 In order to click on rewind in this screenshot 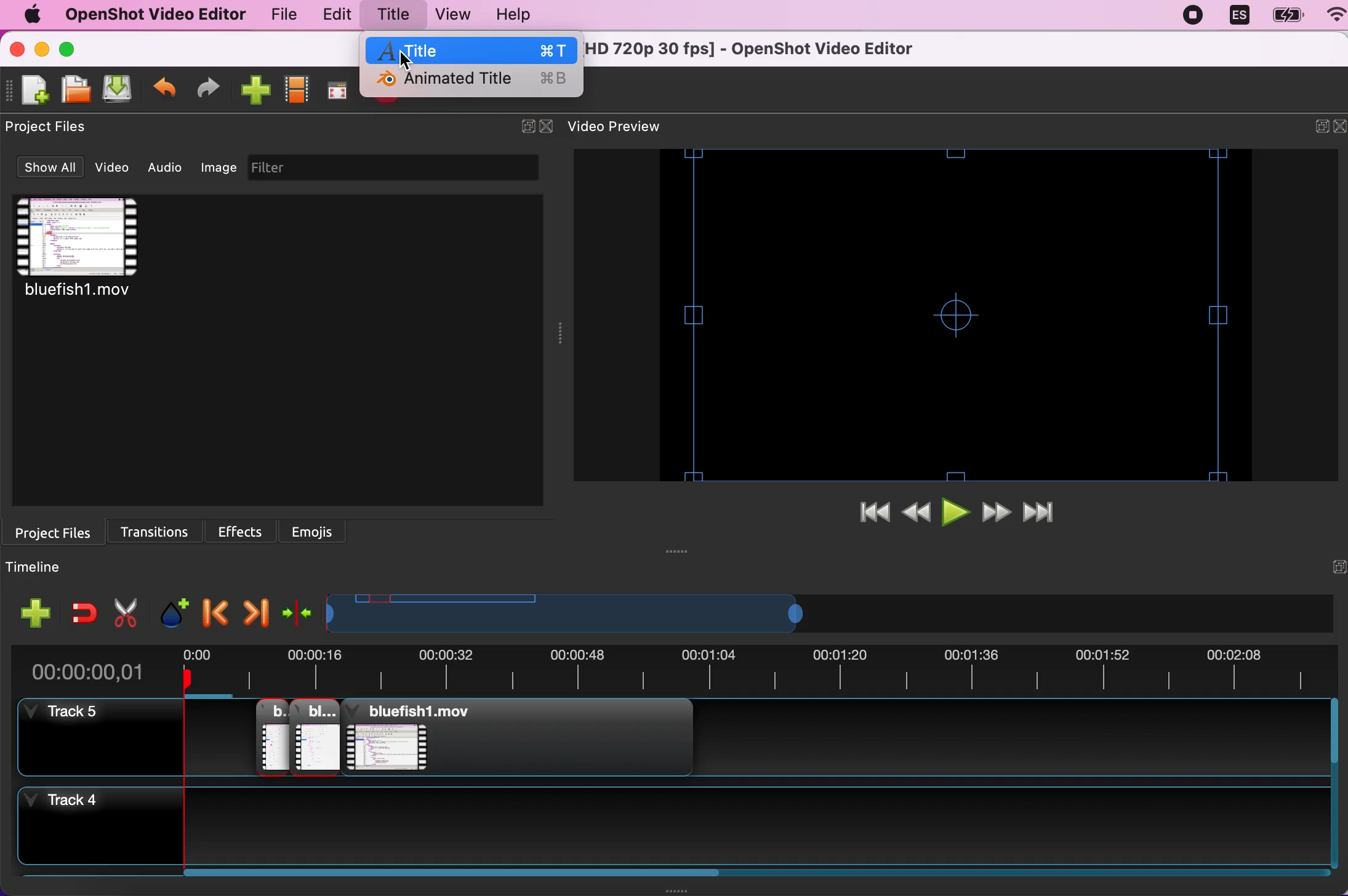, I will do `click(918, 514)`.